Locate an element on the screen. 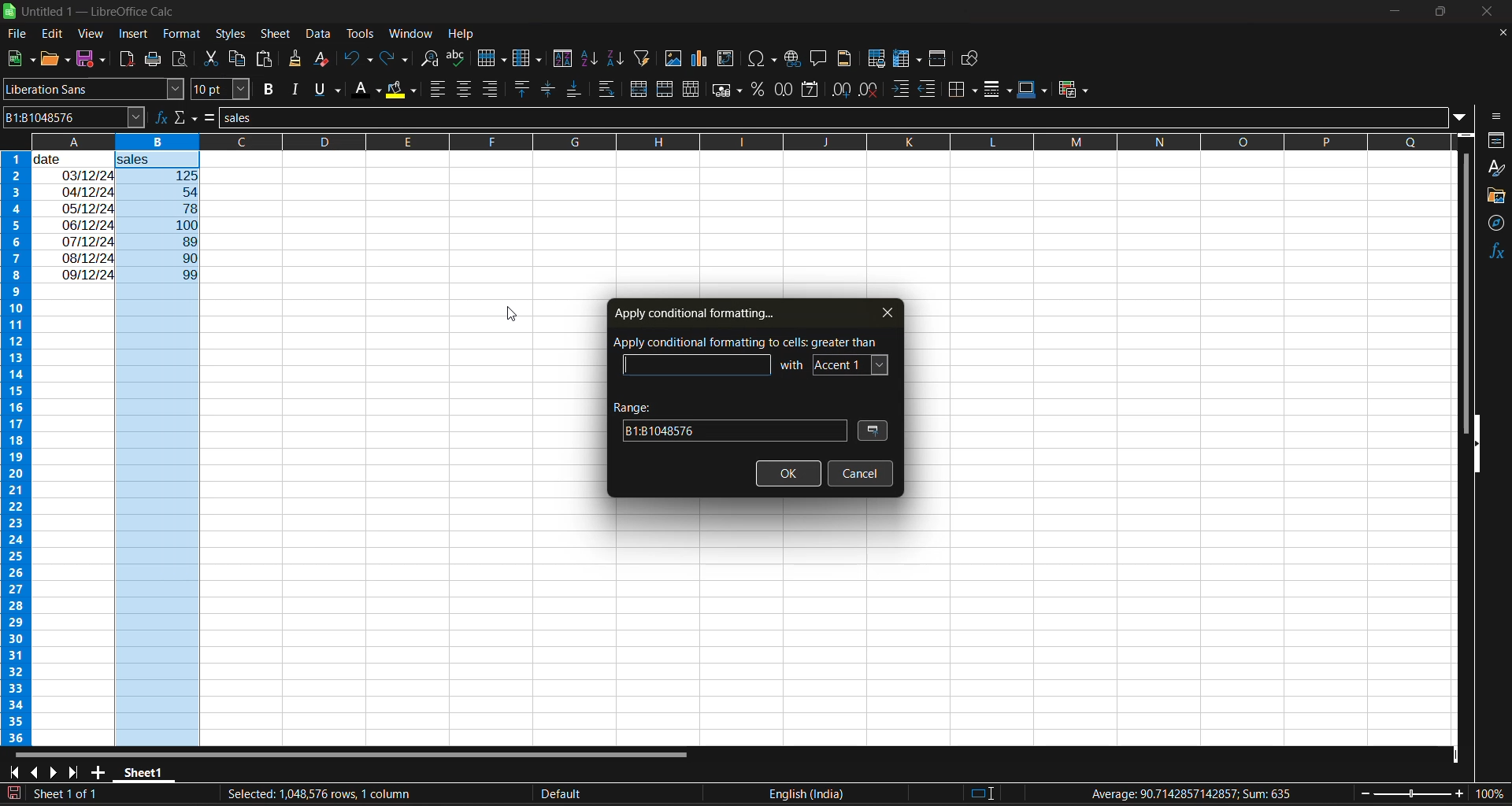  input line is located at coordinates (836, 119).